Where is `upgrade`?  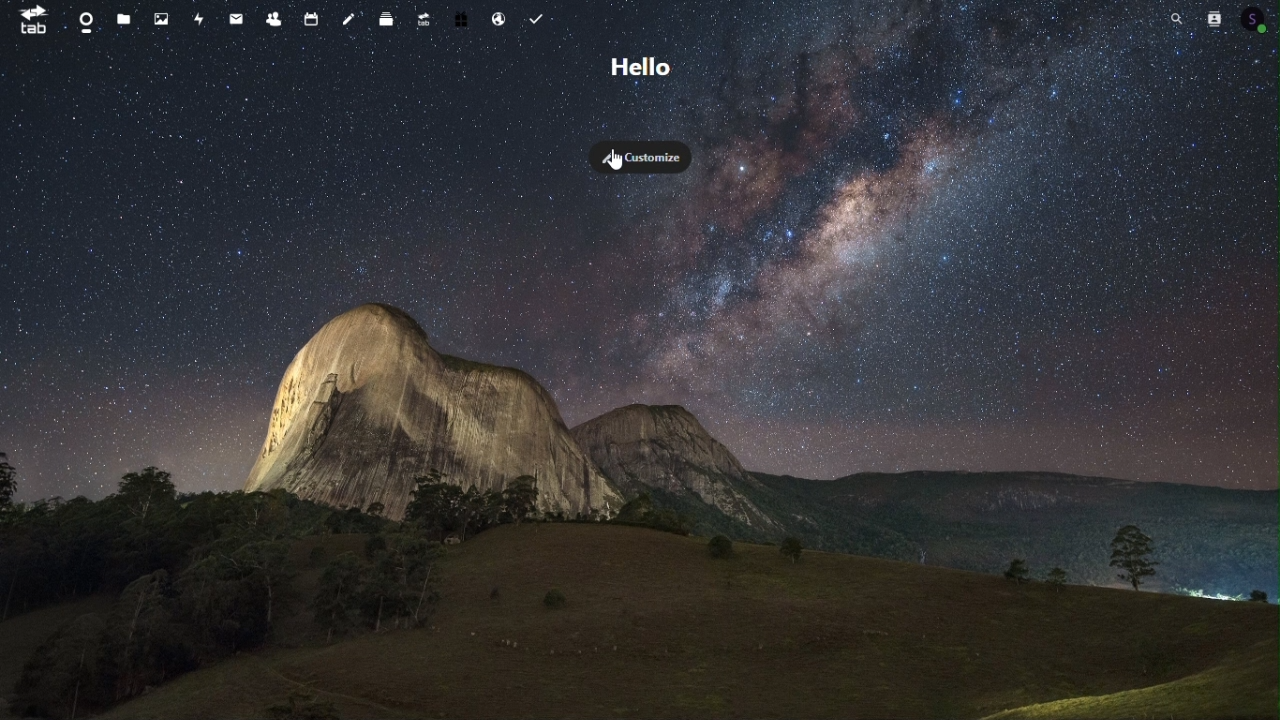 upgrade is located at coordinates (420, 17).